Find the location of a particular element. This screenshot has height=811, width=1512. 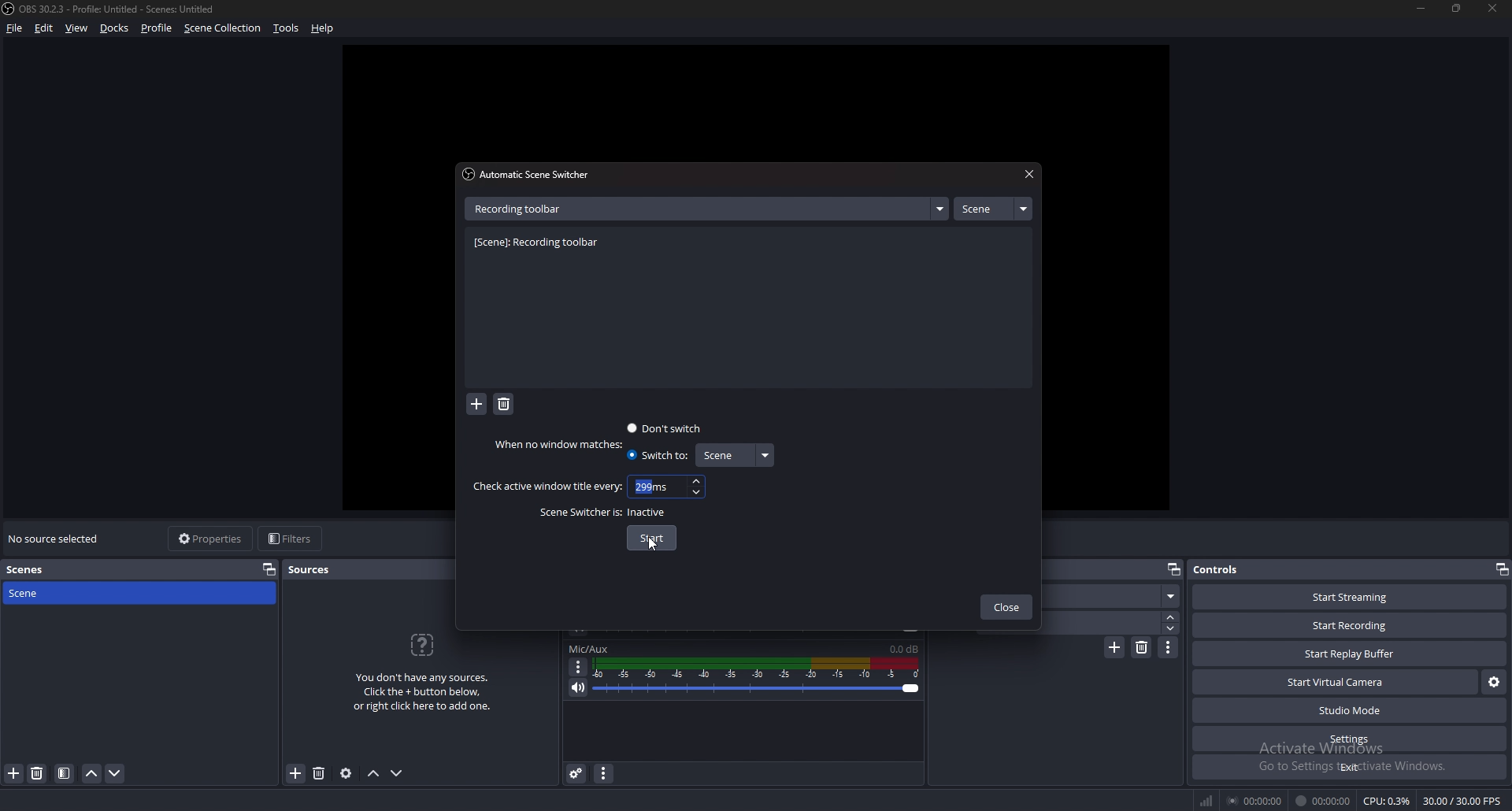

pop out is located at coordinates (269, 568).